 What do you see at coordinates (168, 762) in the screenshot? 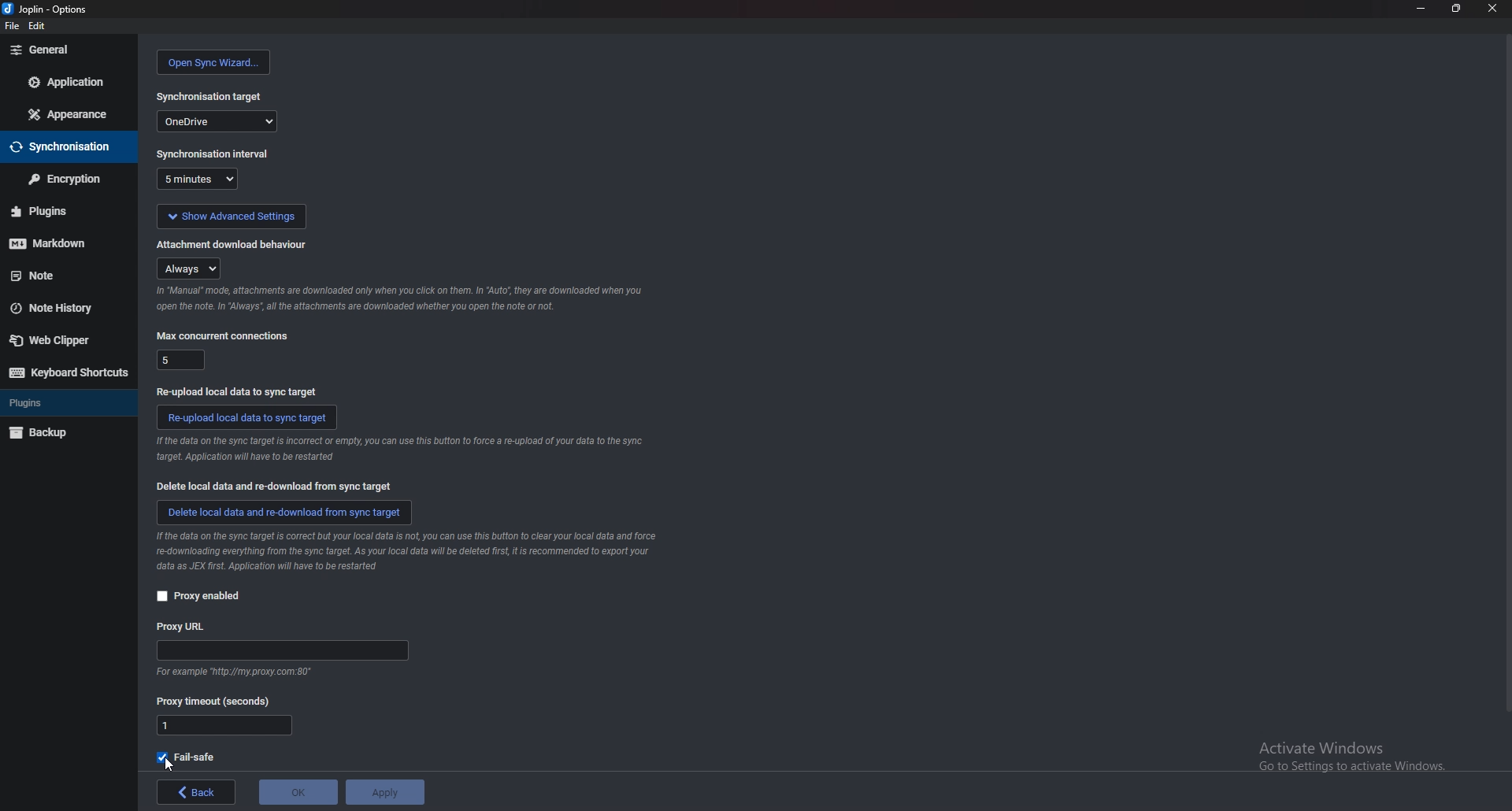
I see `cursor` at bounding box center [168, 762].